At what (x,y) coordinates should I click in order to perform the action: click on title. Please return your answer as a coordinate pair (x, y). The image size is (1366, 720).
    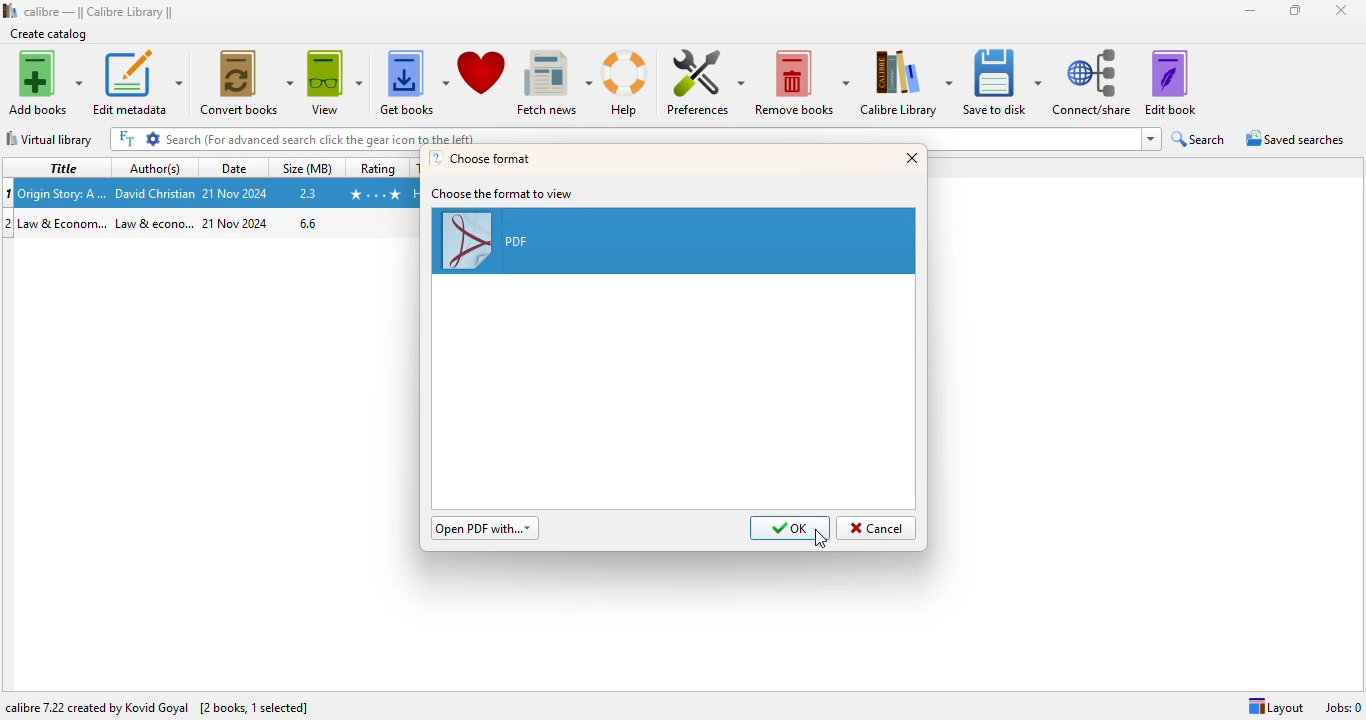
    Looking at the image, I should click on (61, 167).